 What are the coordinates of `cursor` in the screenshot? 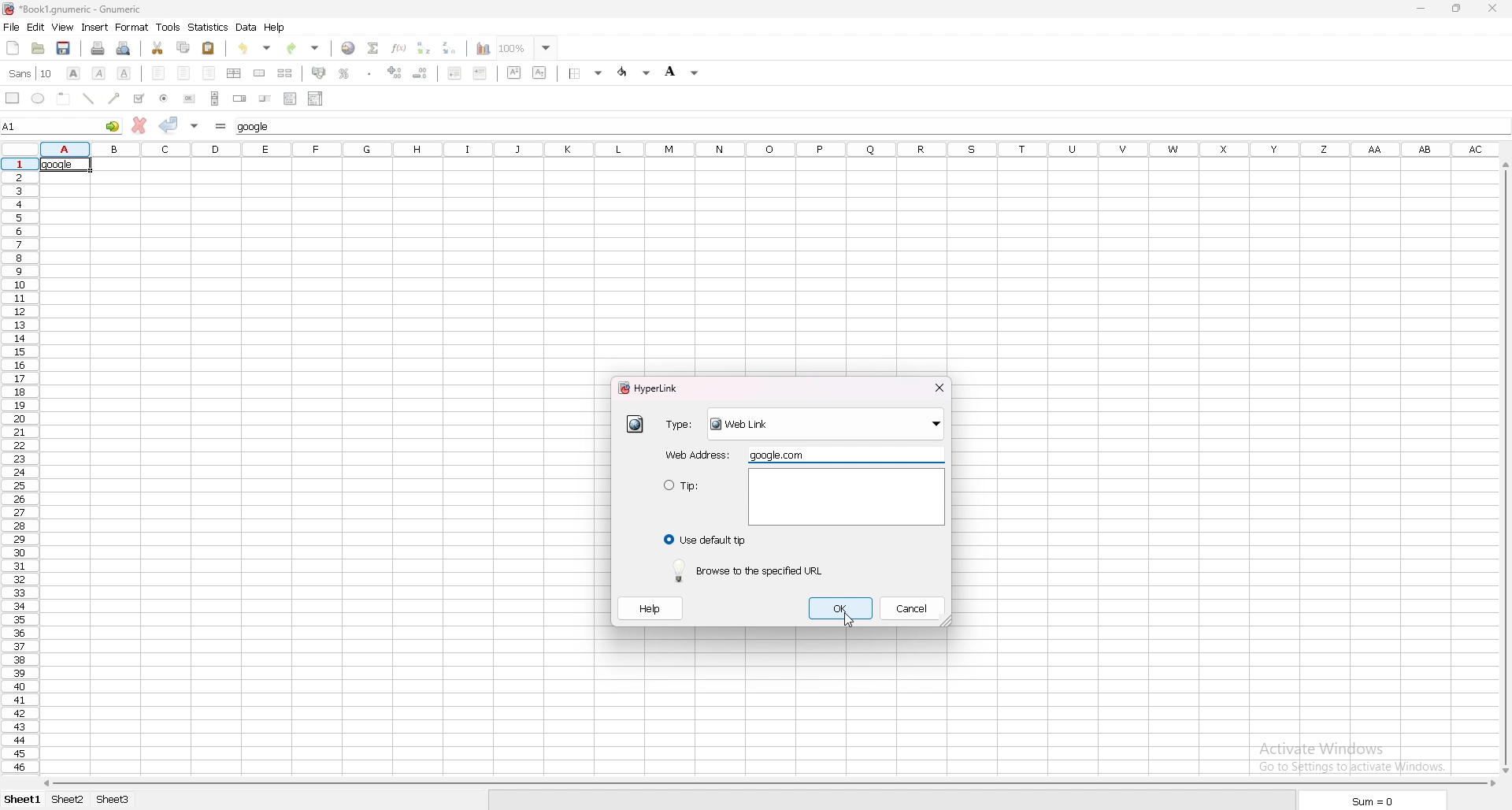 It's located at (849, 619).